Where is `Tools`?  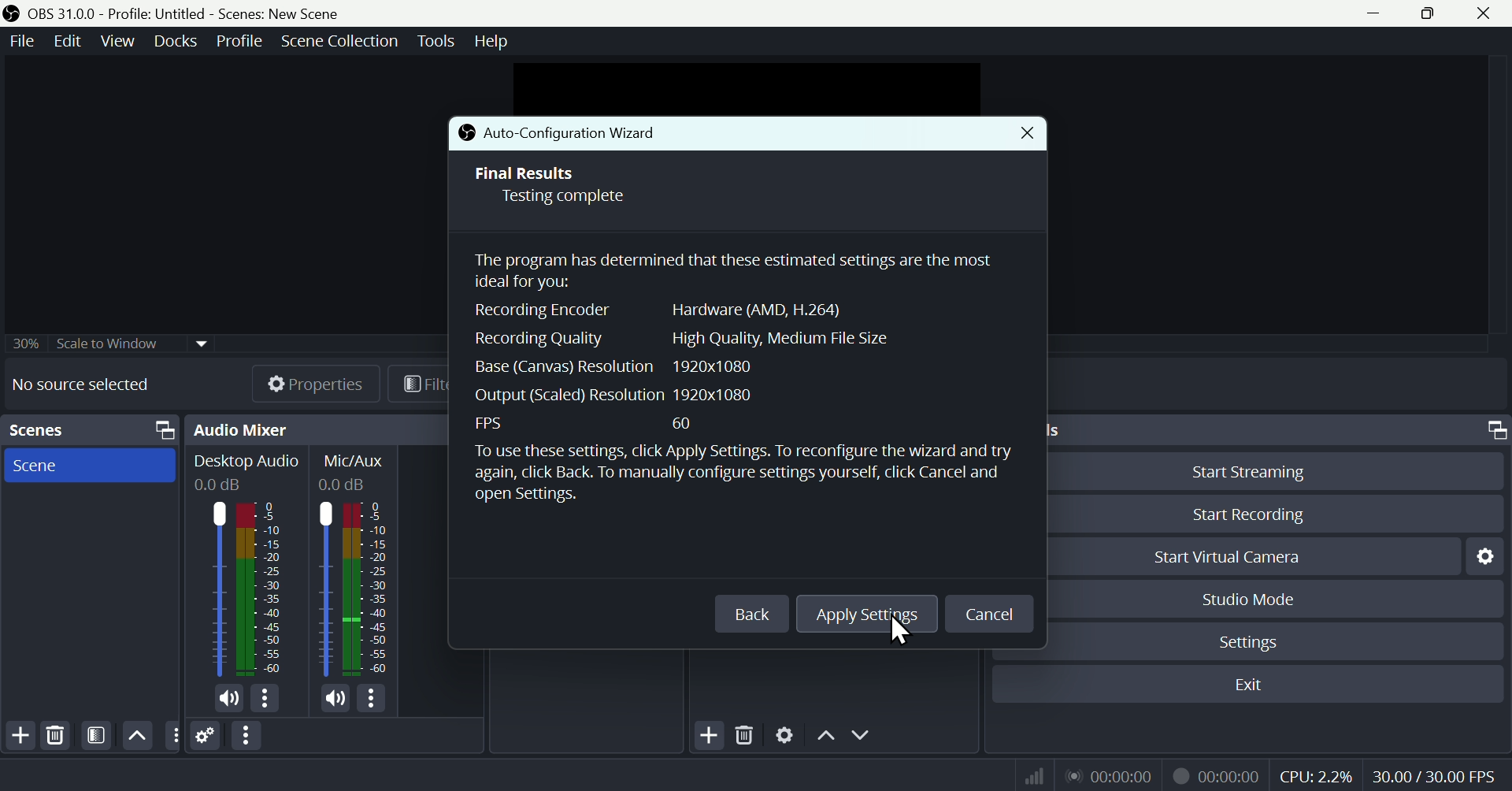 Tools is located at coordinates (439, 41).